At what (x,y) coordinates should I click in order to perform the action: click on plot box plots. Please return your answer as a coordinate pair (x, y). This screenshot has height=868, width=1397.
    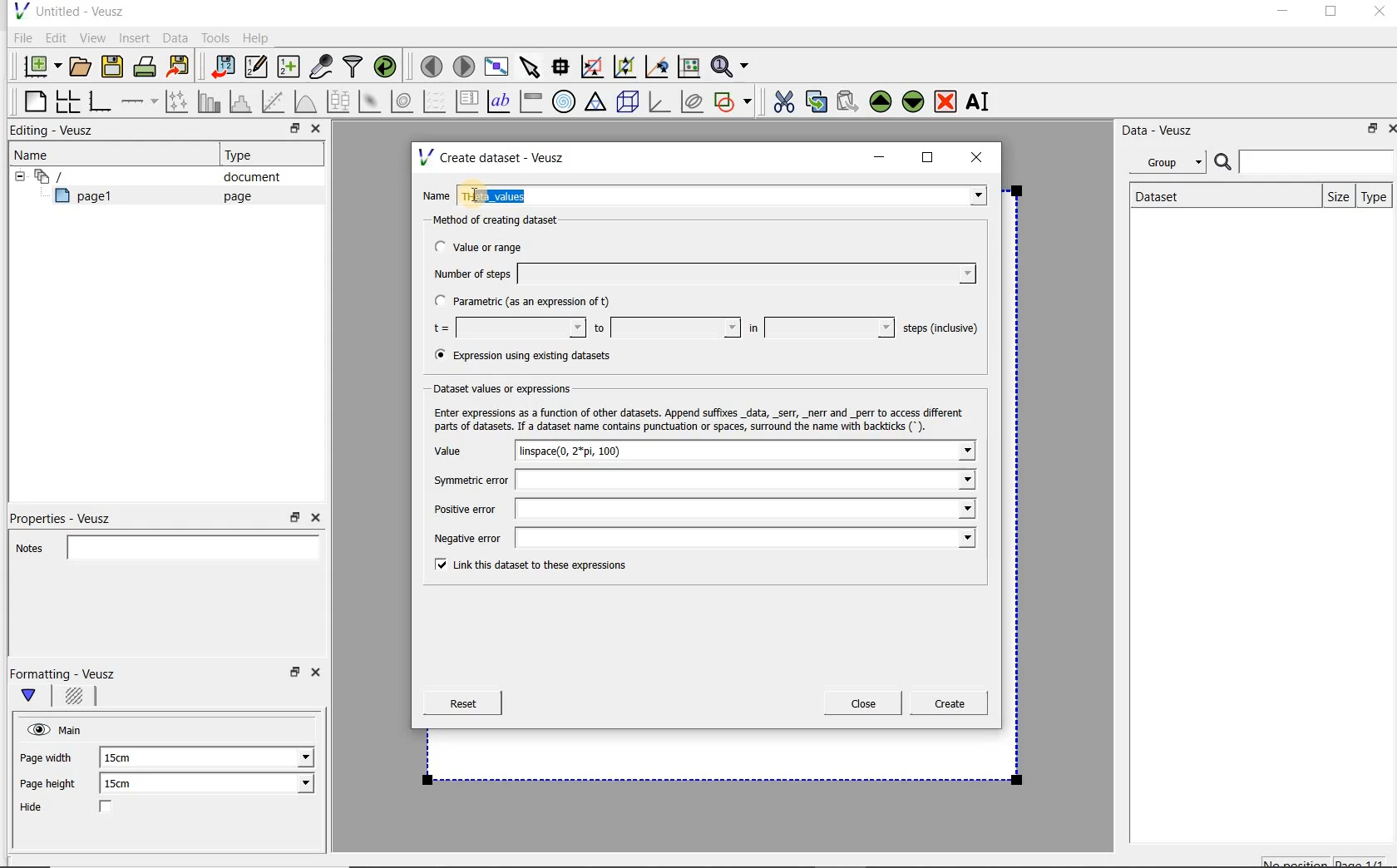
    Looking at the image, I should click on (338, 102).